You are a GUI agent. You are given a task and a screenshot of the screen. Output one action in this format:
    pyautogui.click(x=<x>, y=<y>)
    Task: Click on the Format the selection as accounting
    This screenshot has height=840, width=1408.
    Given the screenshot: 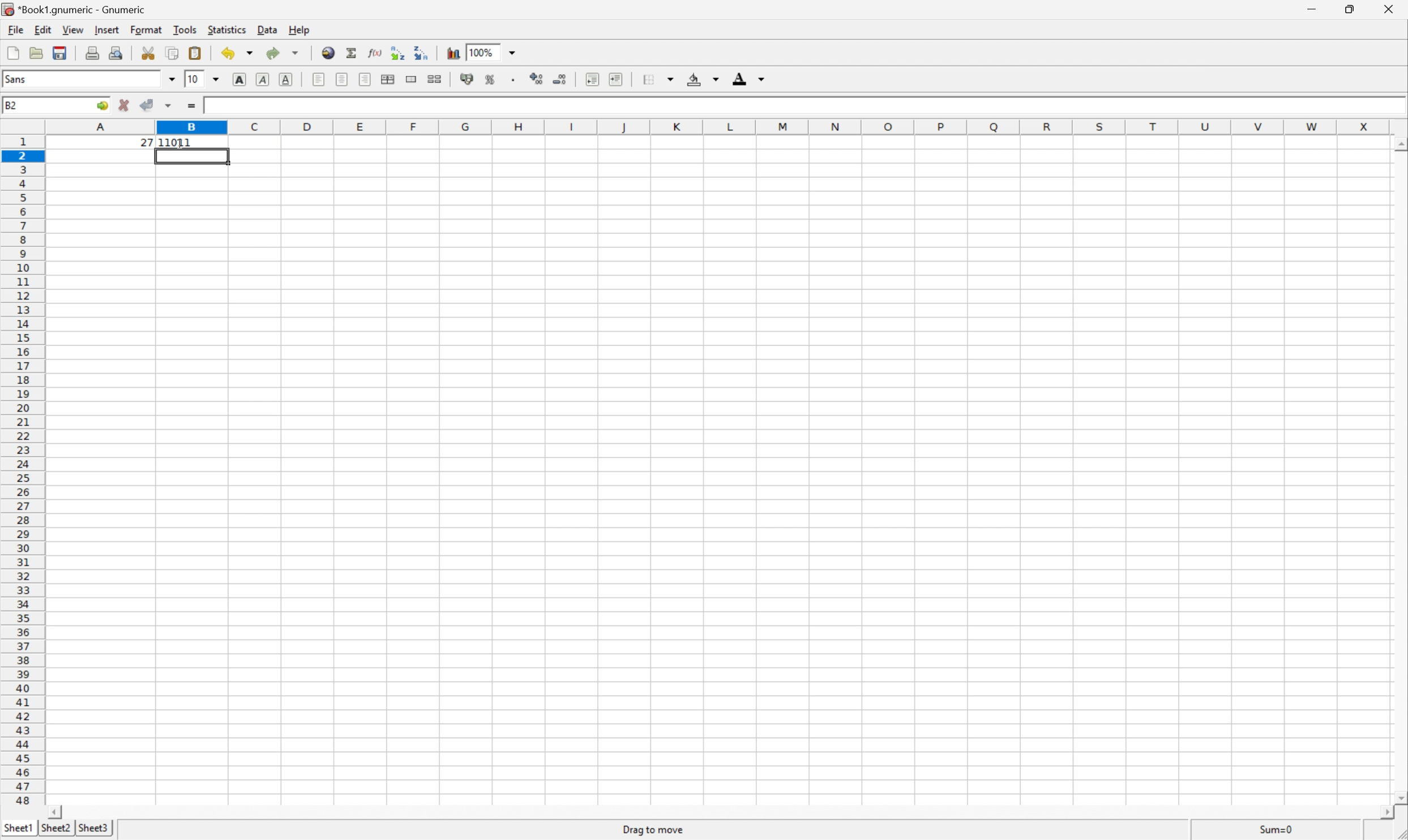 What is the action you would take?
    pyautogui.click(x=467, y=78)
    